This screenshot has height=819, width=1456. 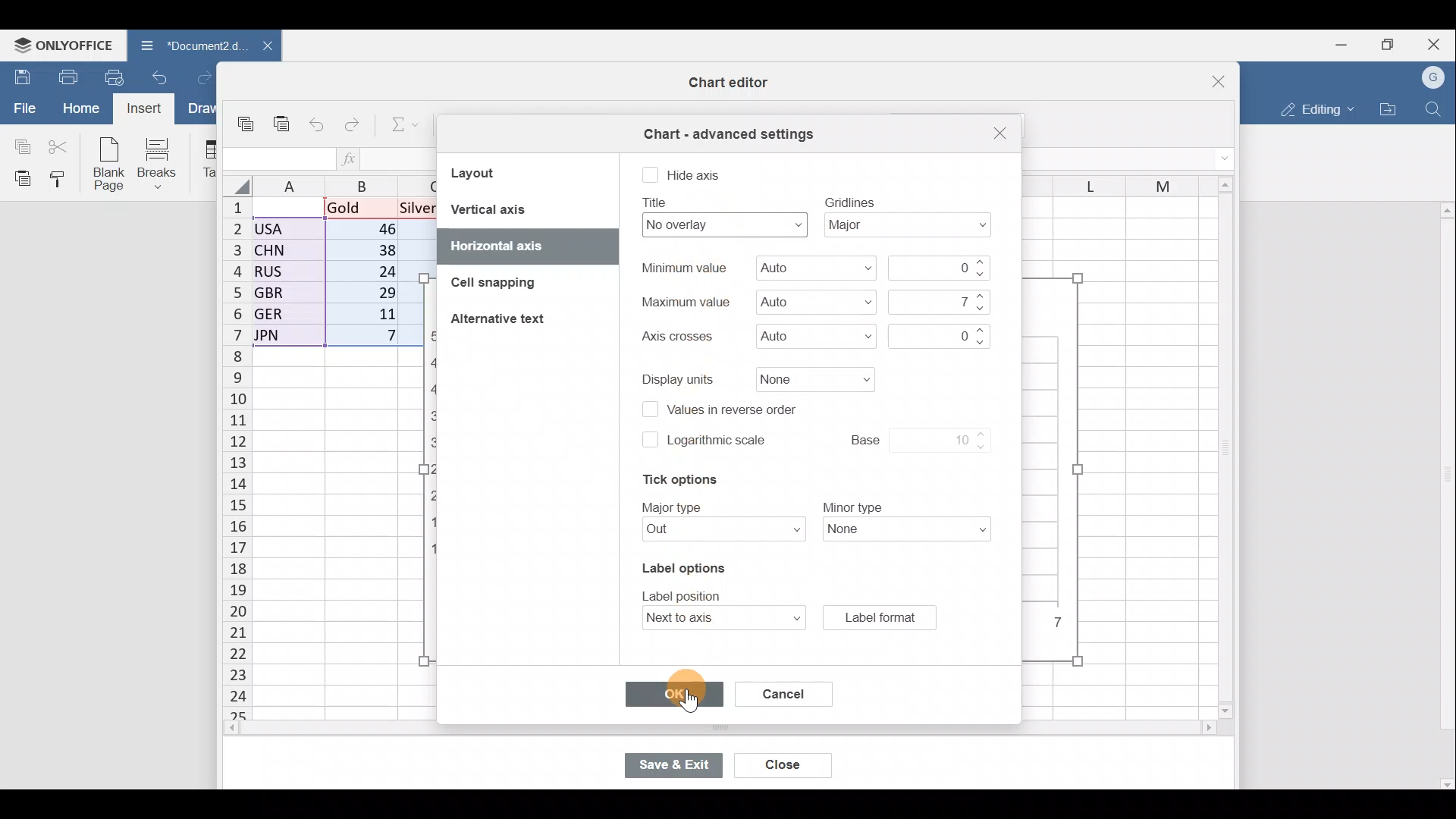 I want to click on Draw, so click(x=199, y=108).